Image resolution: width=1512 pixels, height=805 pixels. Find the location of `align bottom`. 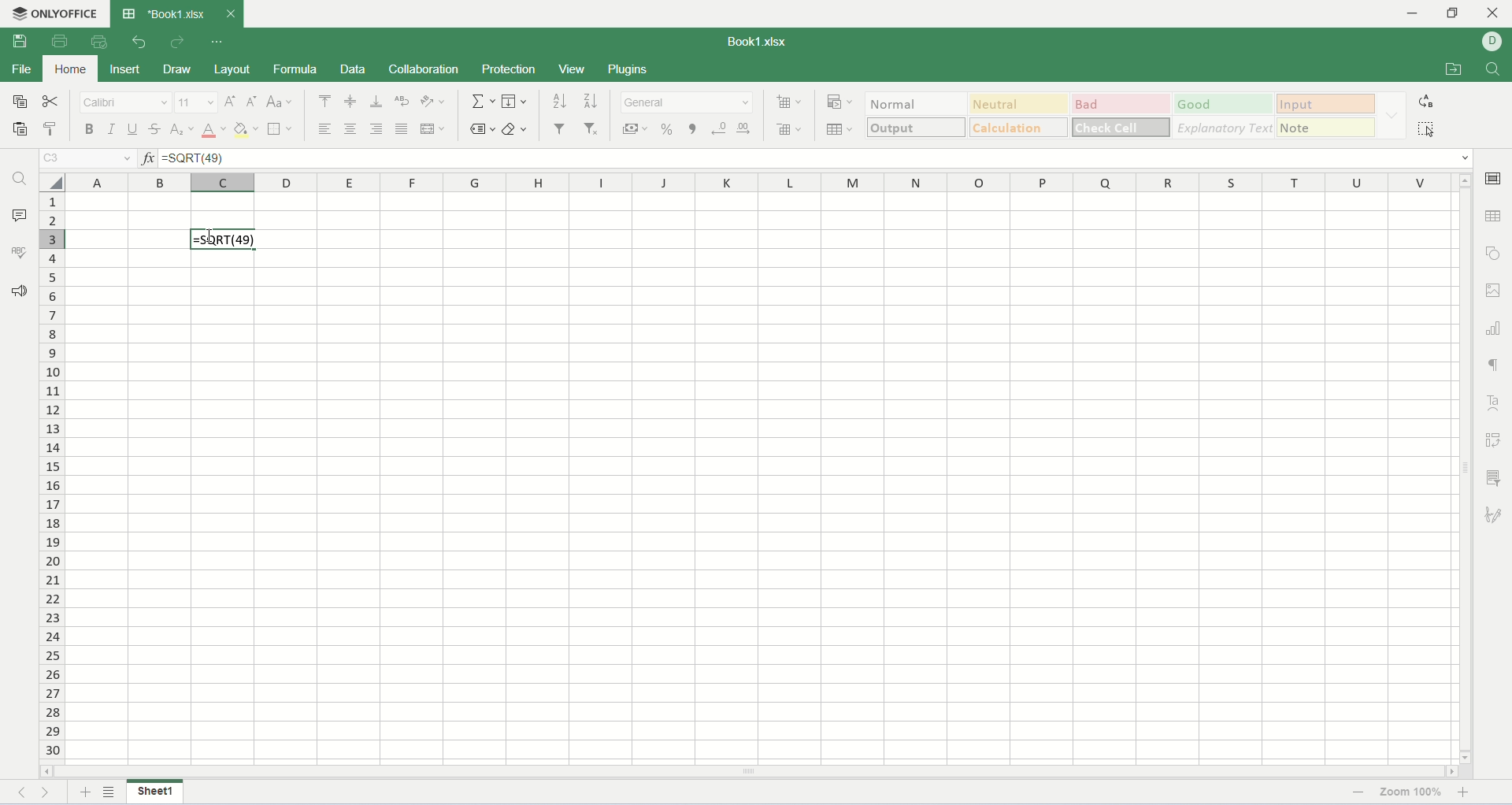

align bottom is located at coordinates (376, 101).